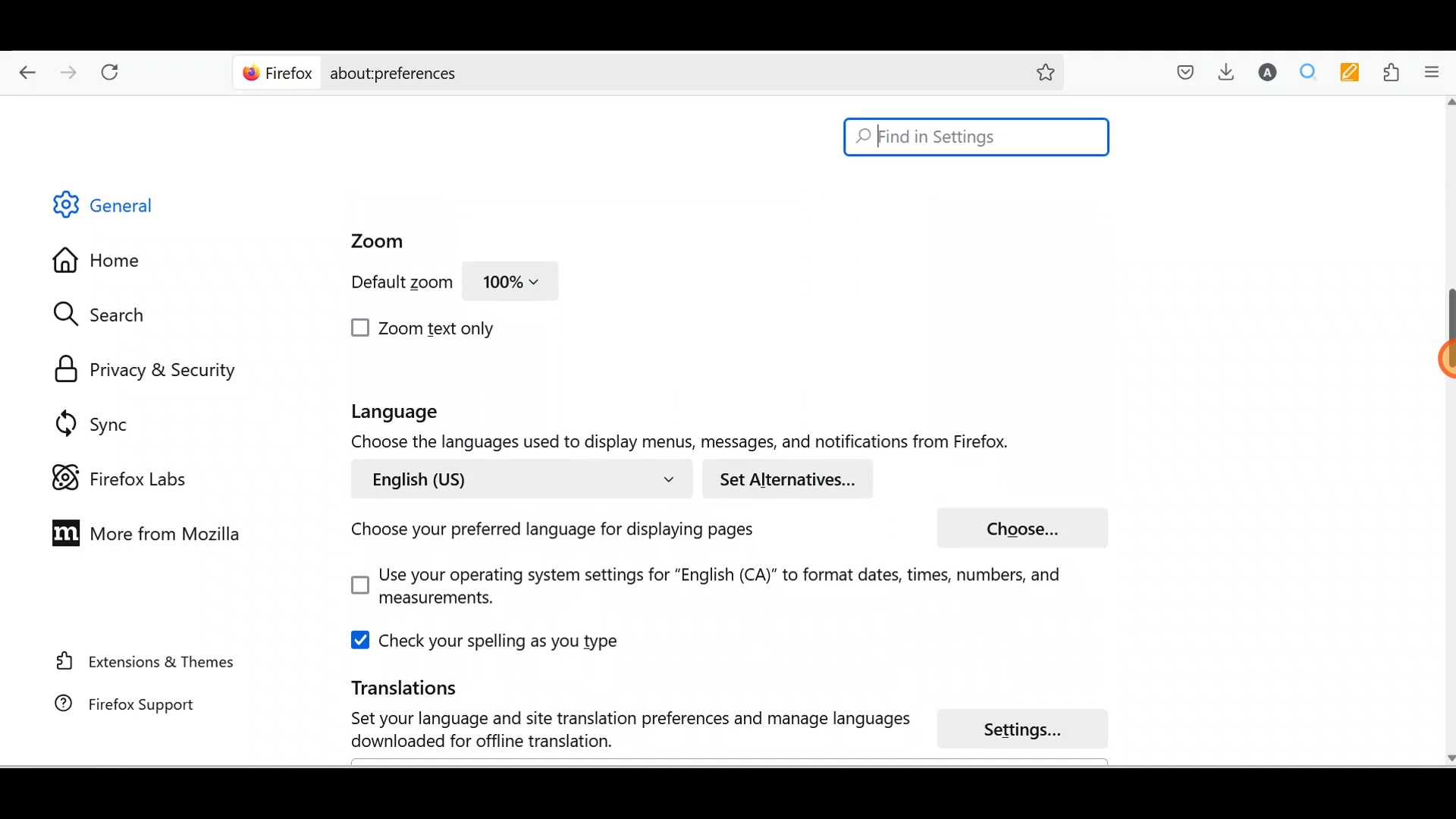 The width and height of the screenshot is (1456, 819). Describe the element at coordinates (425, 328) in the screenshot. I see `Zoom text only` at that location.